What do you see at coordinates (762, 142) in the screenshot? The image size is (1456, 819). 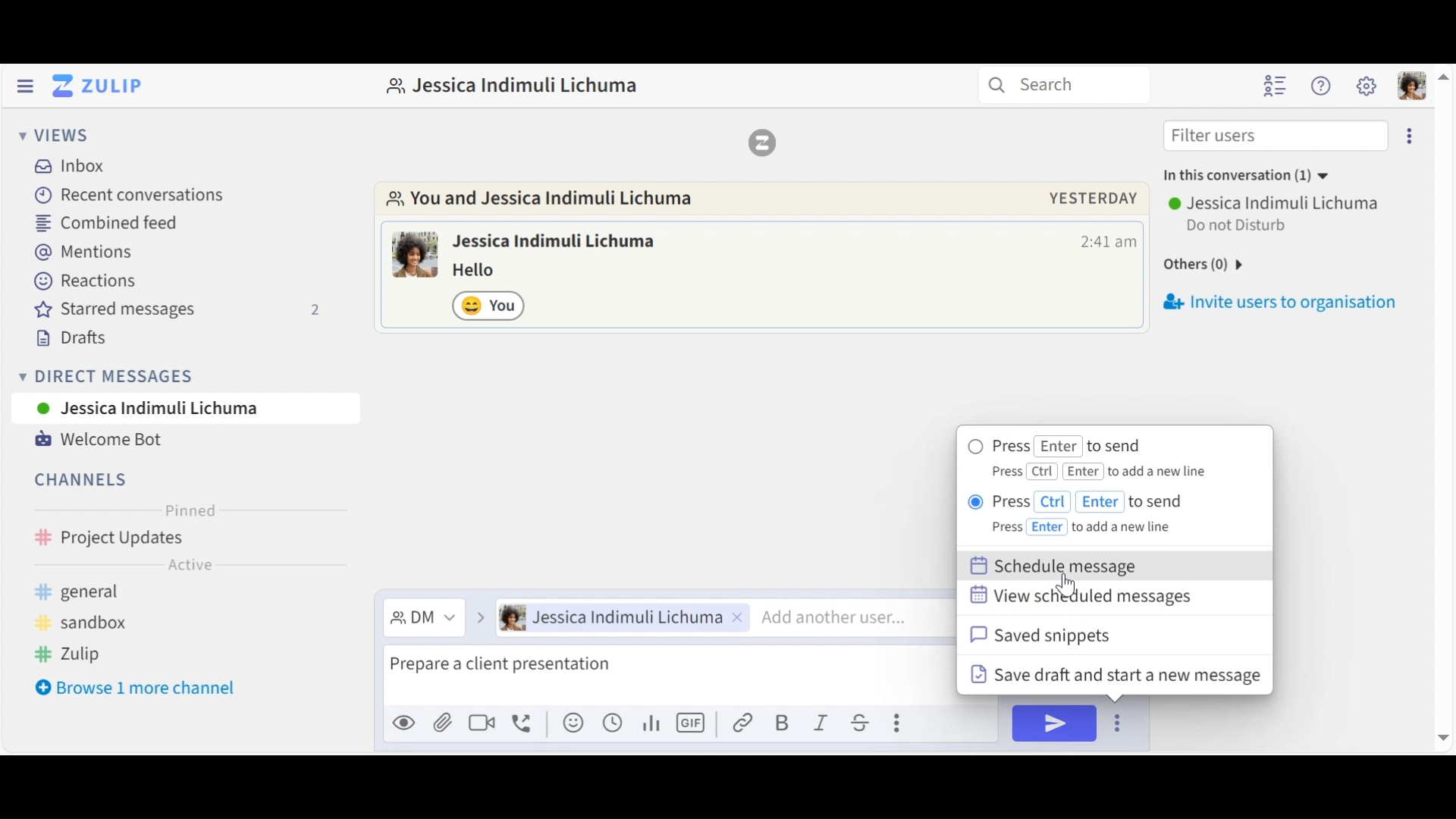 I see `Zulip` at bounding box center [762, 142].